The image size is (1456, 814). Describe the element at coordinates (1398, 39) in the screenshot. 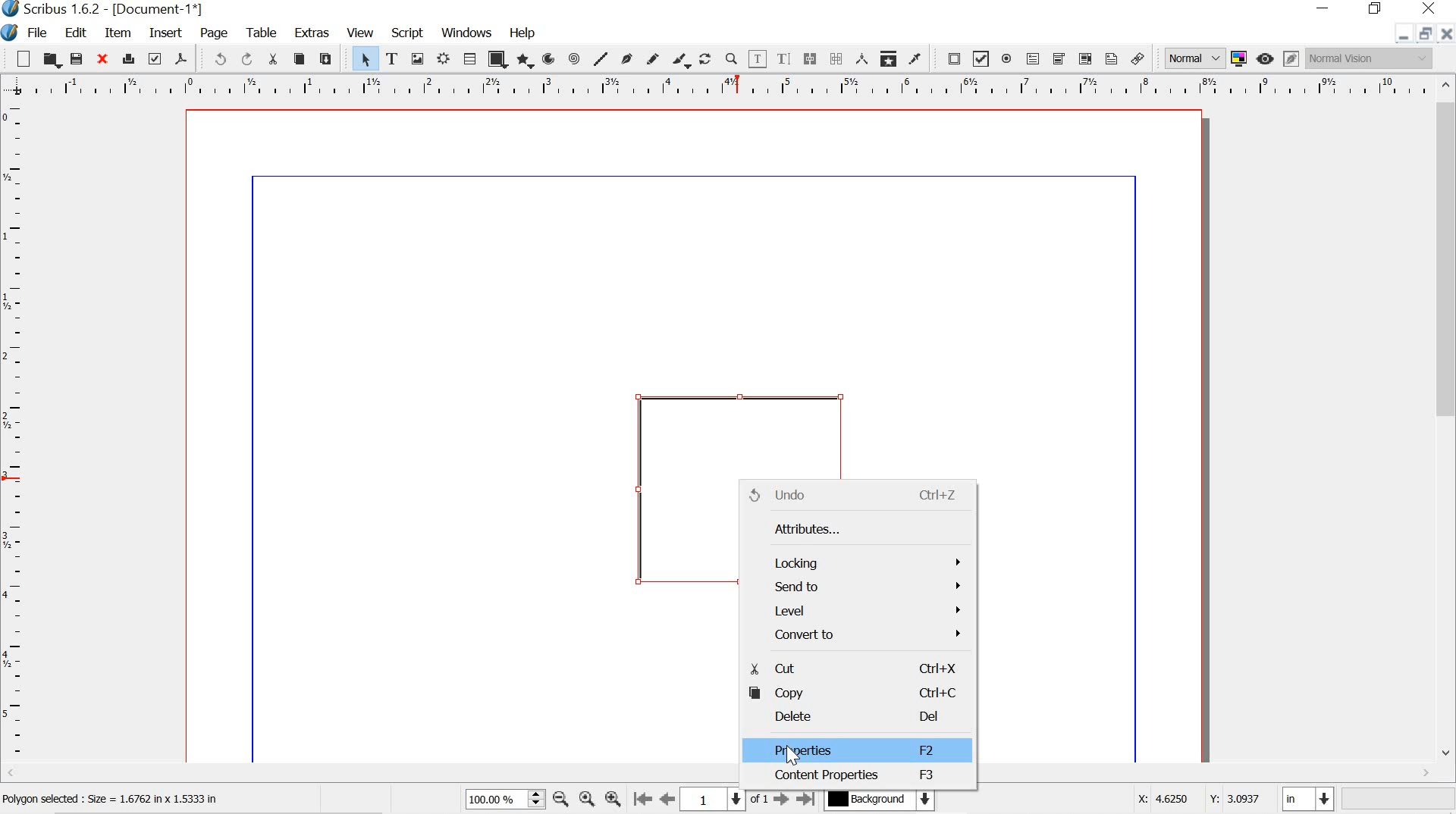

I see `MINIMIZE` at that location.